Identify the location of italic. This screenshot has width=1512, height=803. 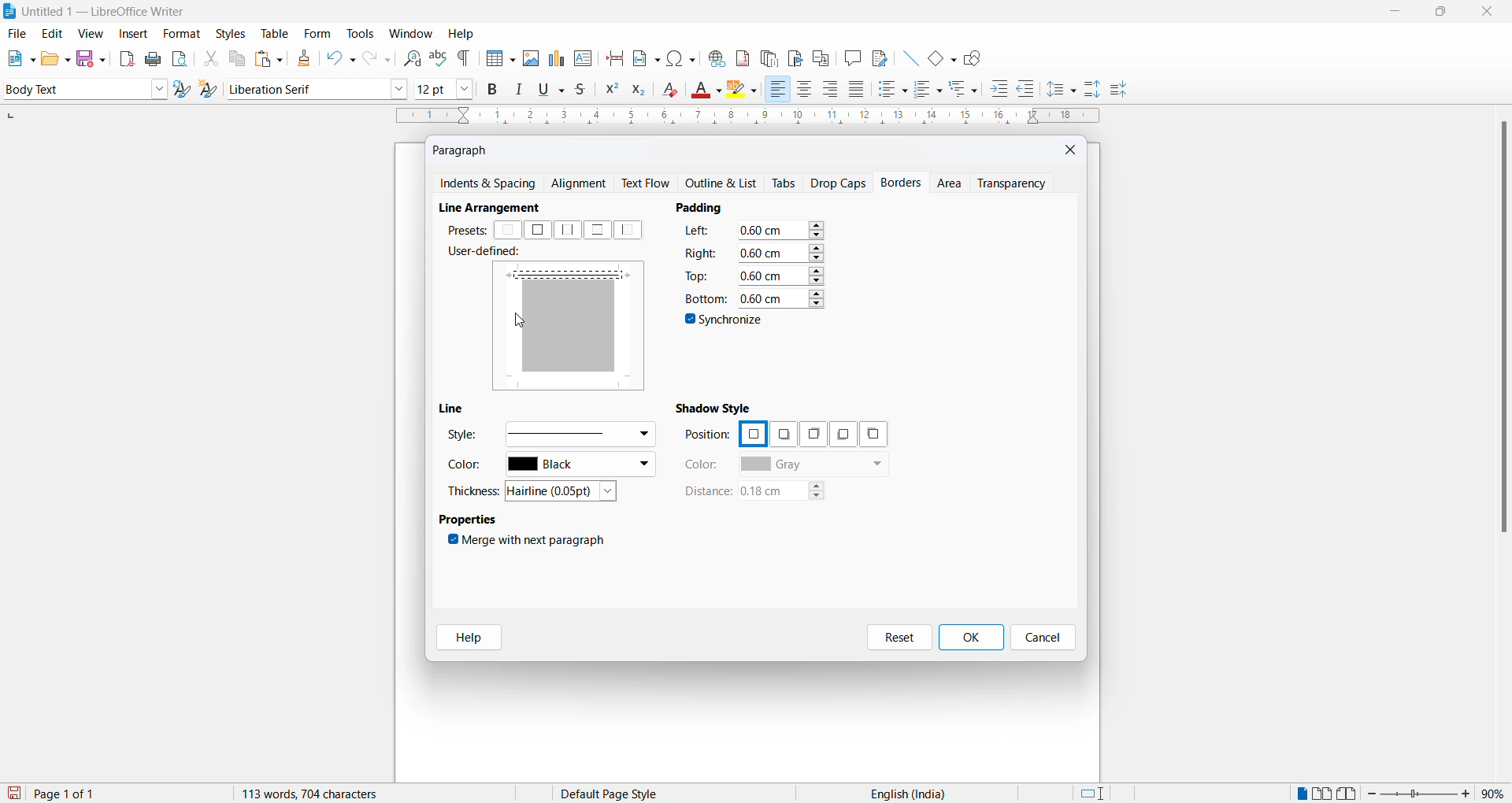
(522, 90).